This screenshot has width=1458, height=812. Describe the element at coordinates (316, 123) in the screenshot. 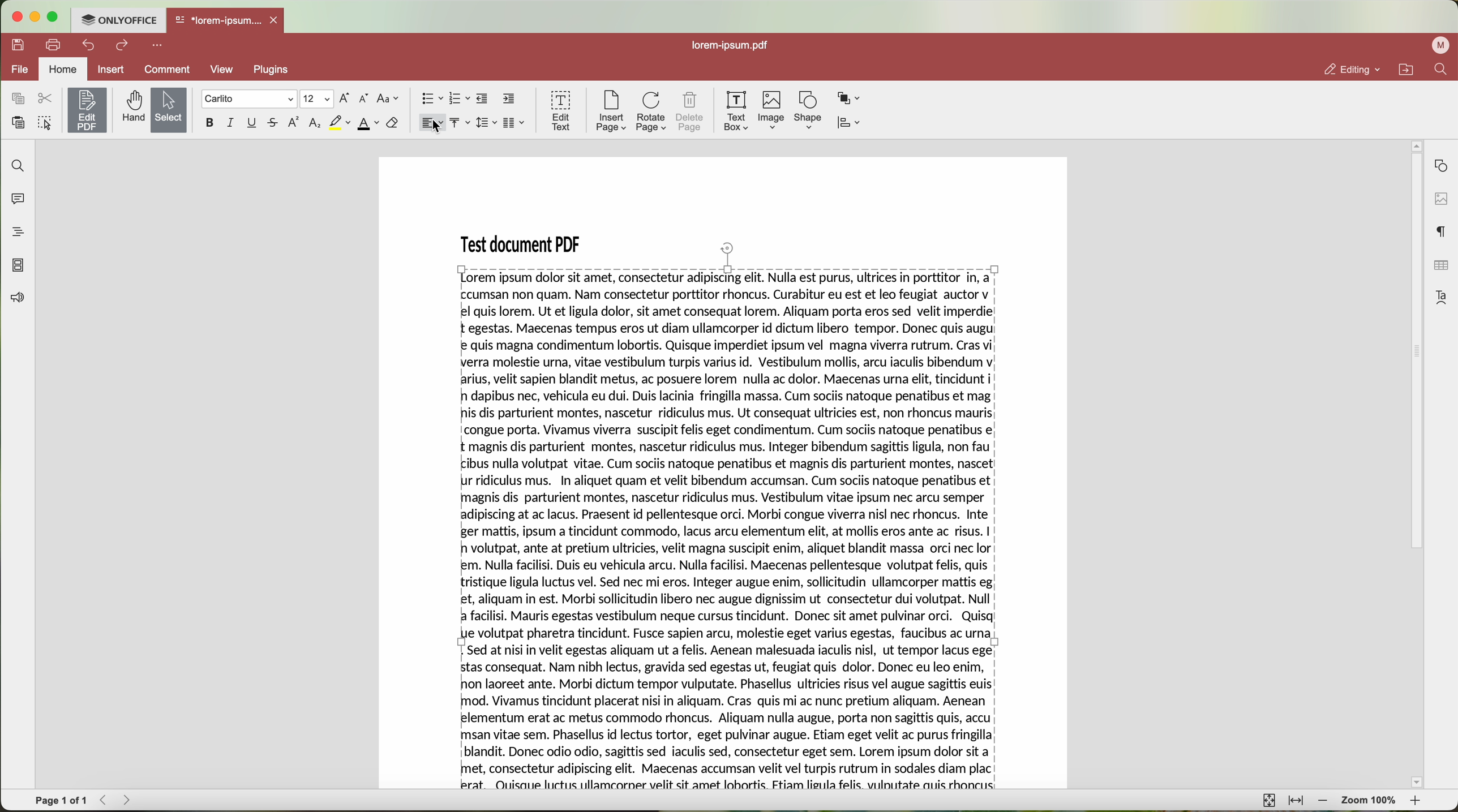

I see `subscript` at that location.